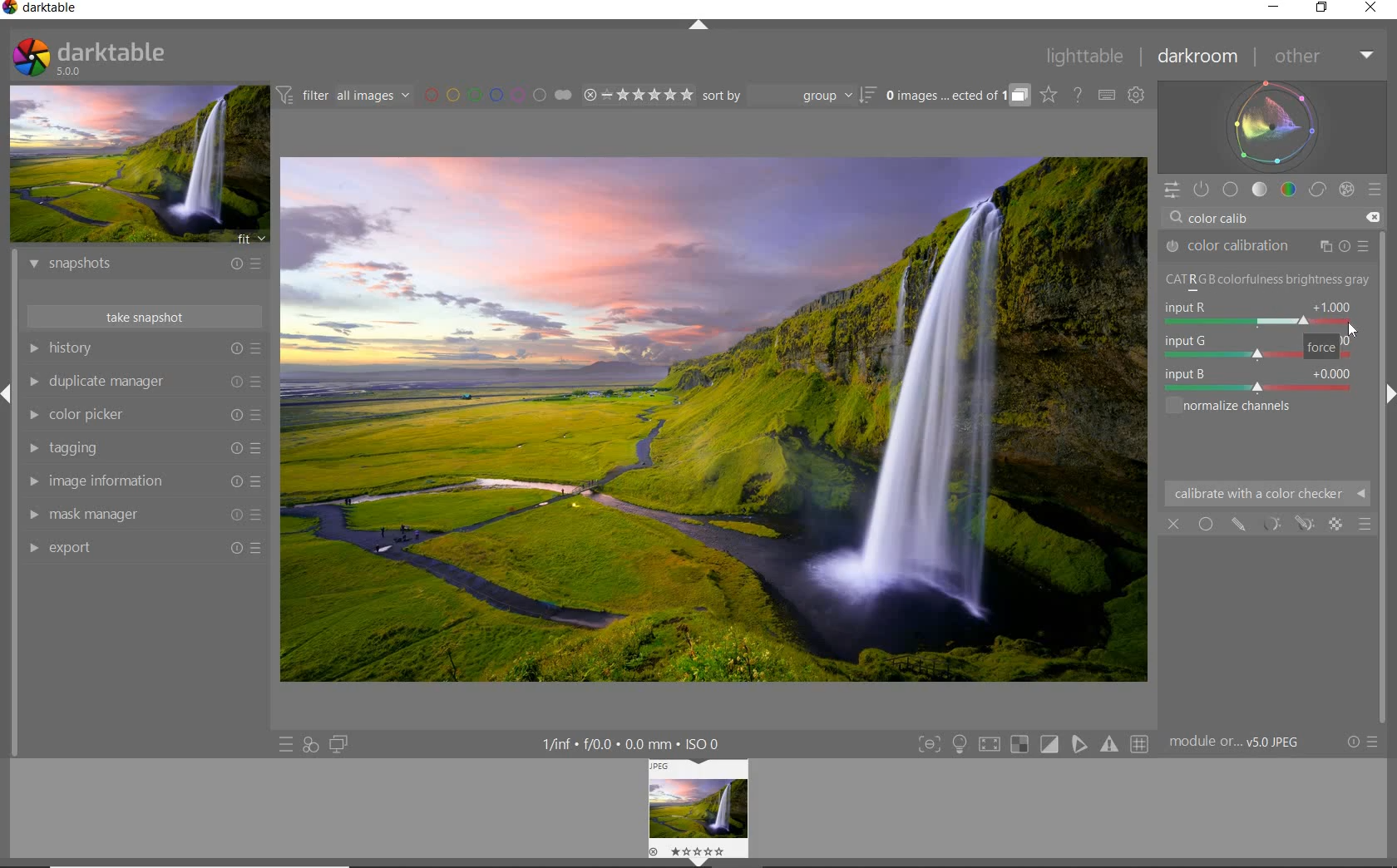 This screenshot has height=868, width=1397. What do you see at coordinates (1320, 56) in the screenshot?
I see `other` at bounding box center [1320, 56].